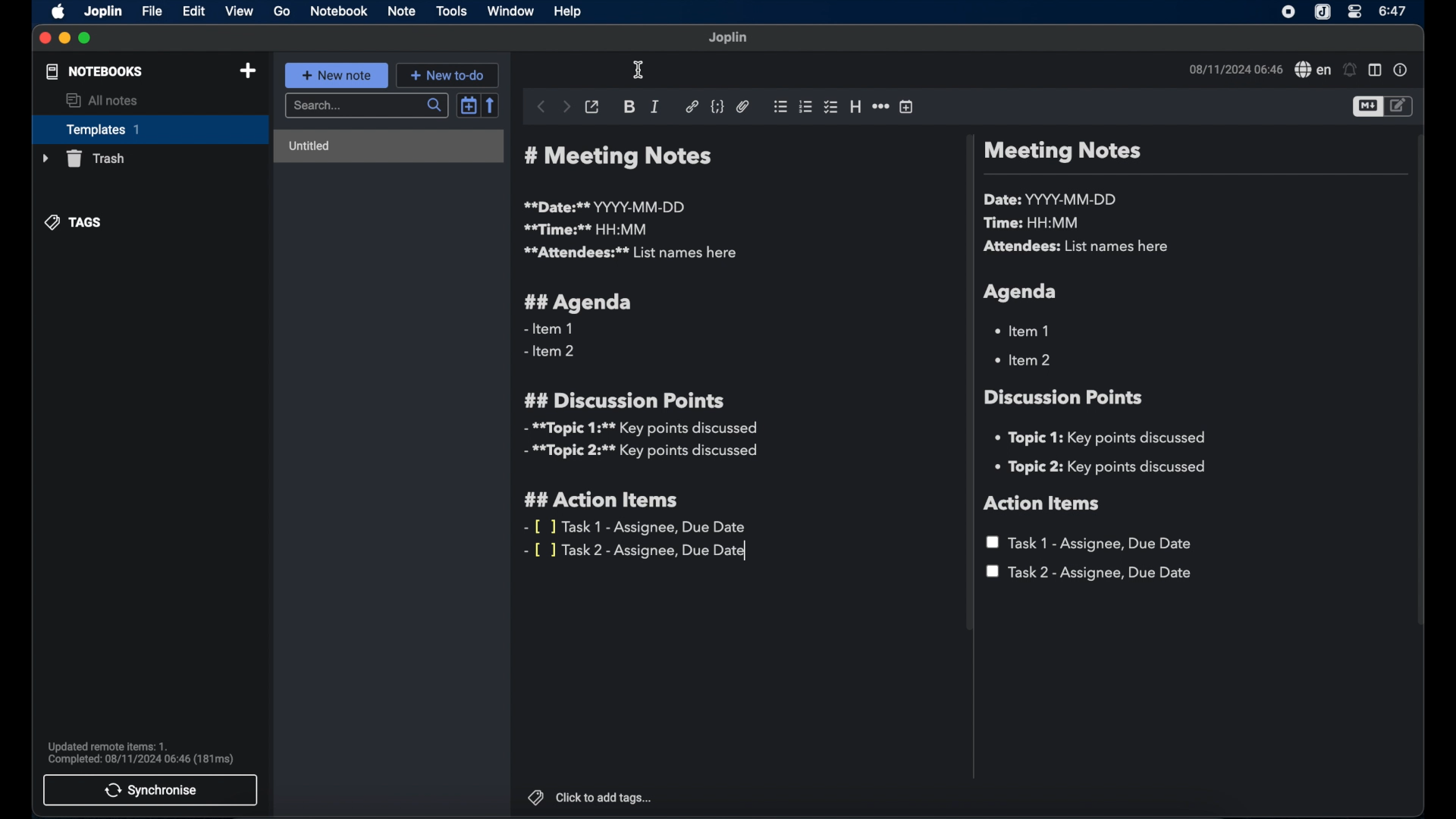 The width and height of the screenshot is (1456, 819). Describe the element at coordinates (1025, 359) in the screenshot. I see `item 2` at that location.